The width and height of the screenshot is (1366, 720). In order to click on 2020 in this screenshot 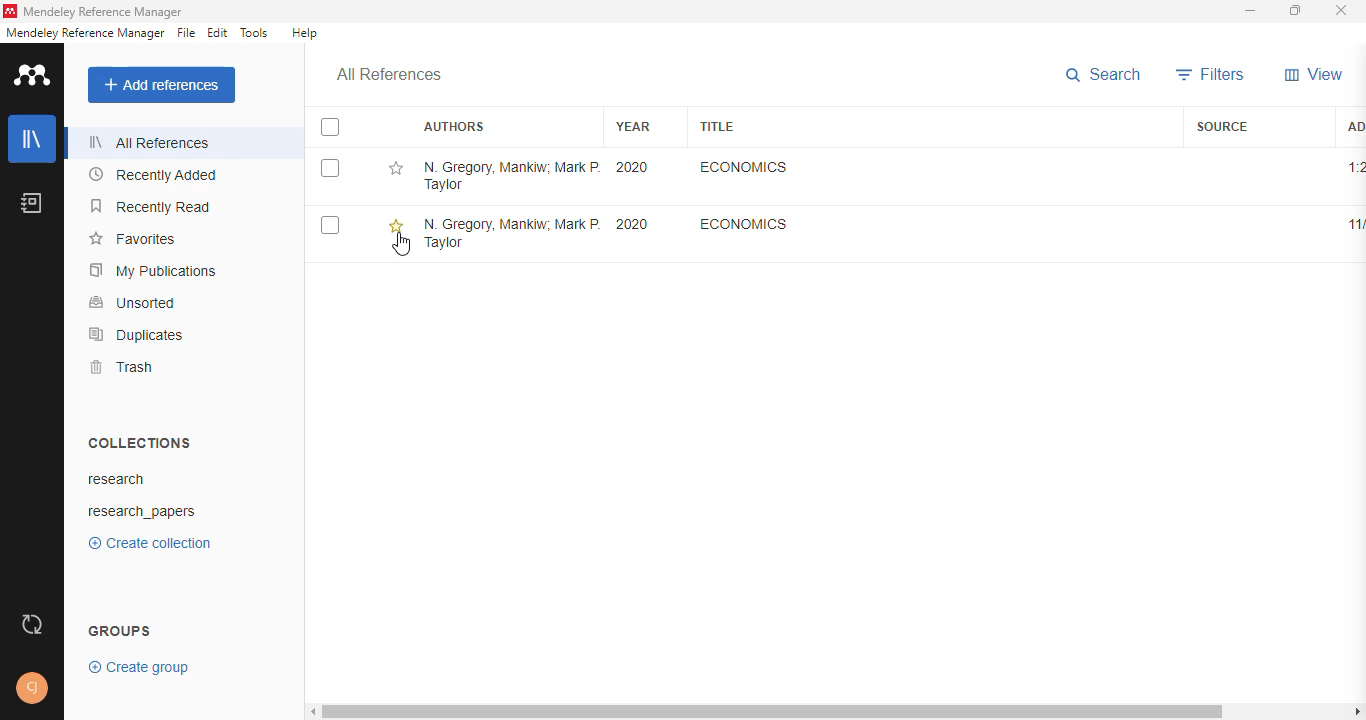, I will do `click(632, 168)`.